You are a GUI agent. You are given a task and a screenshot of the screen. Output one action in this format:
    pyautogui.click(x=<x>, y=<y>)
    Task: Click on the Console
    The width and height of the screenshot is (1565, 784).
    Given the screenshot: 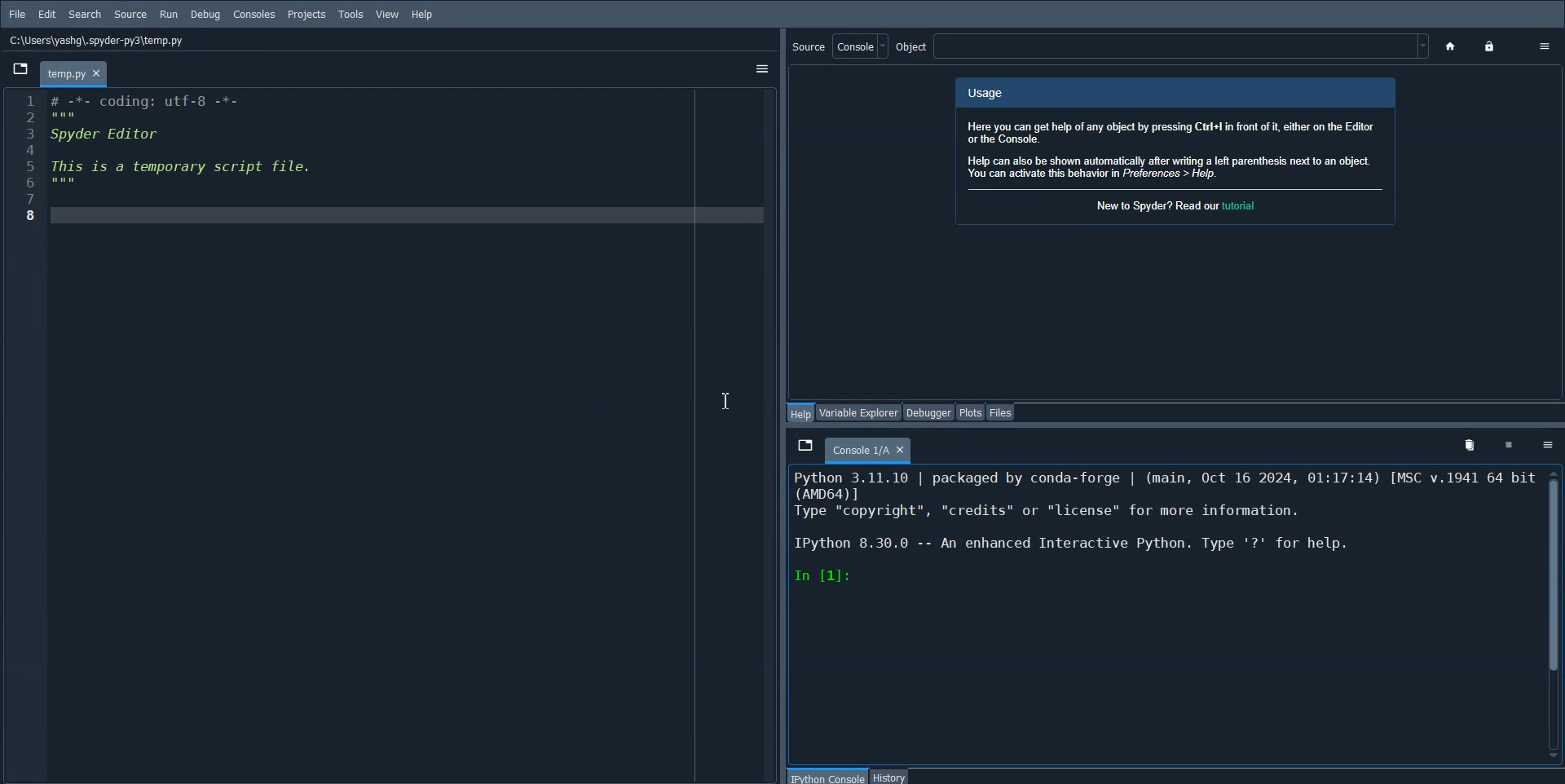 What is the action you would take?
    pyautogui.click(x=254, y=15)
    